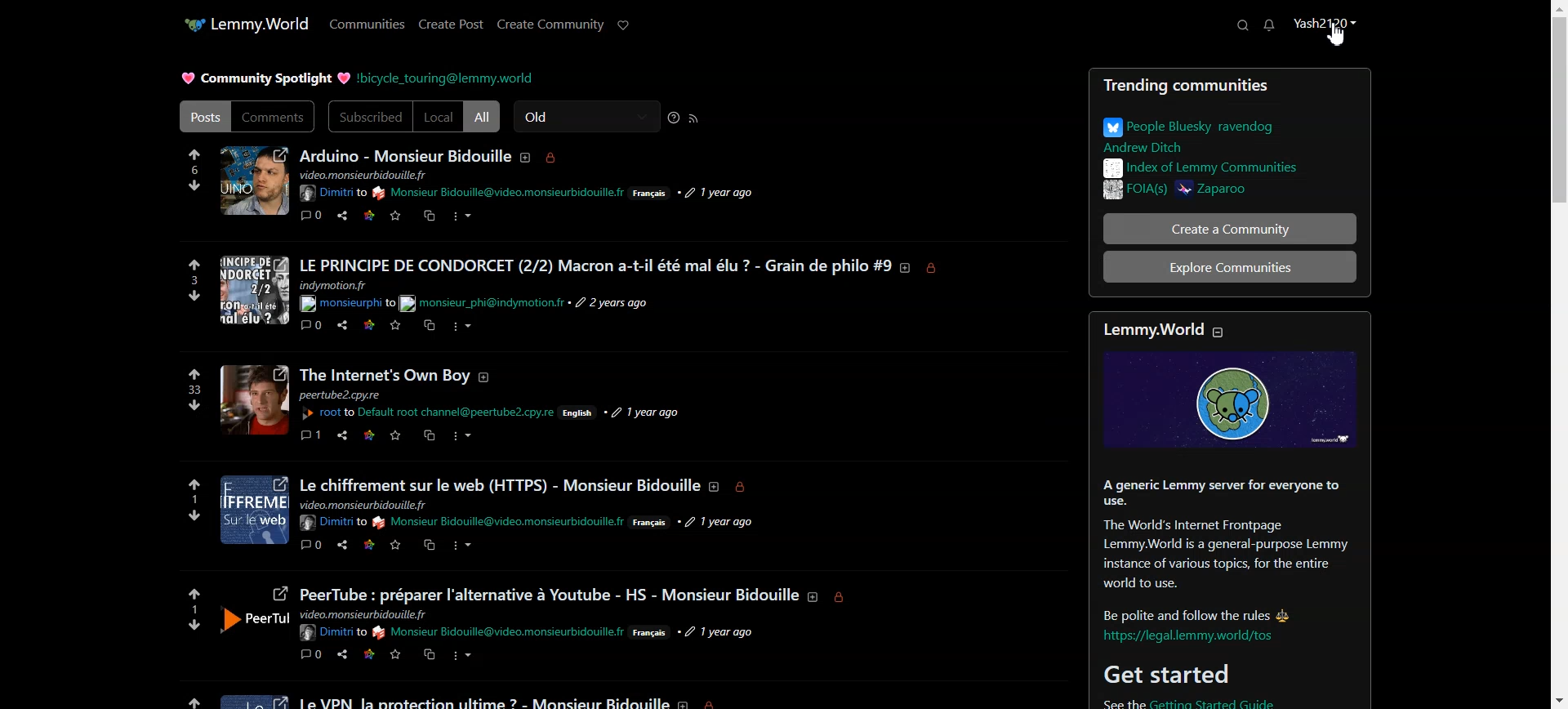  What do you see at coordinates (1558, 354) in the screenshot?
I see `Vertical scroll bar` at bounding box center [1558, 354].